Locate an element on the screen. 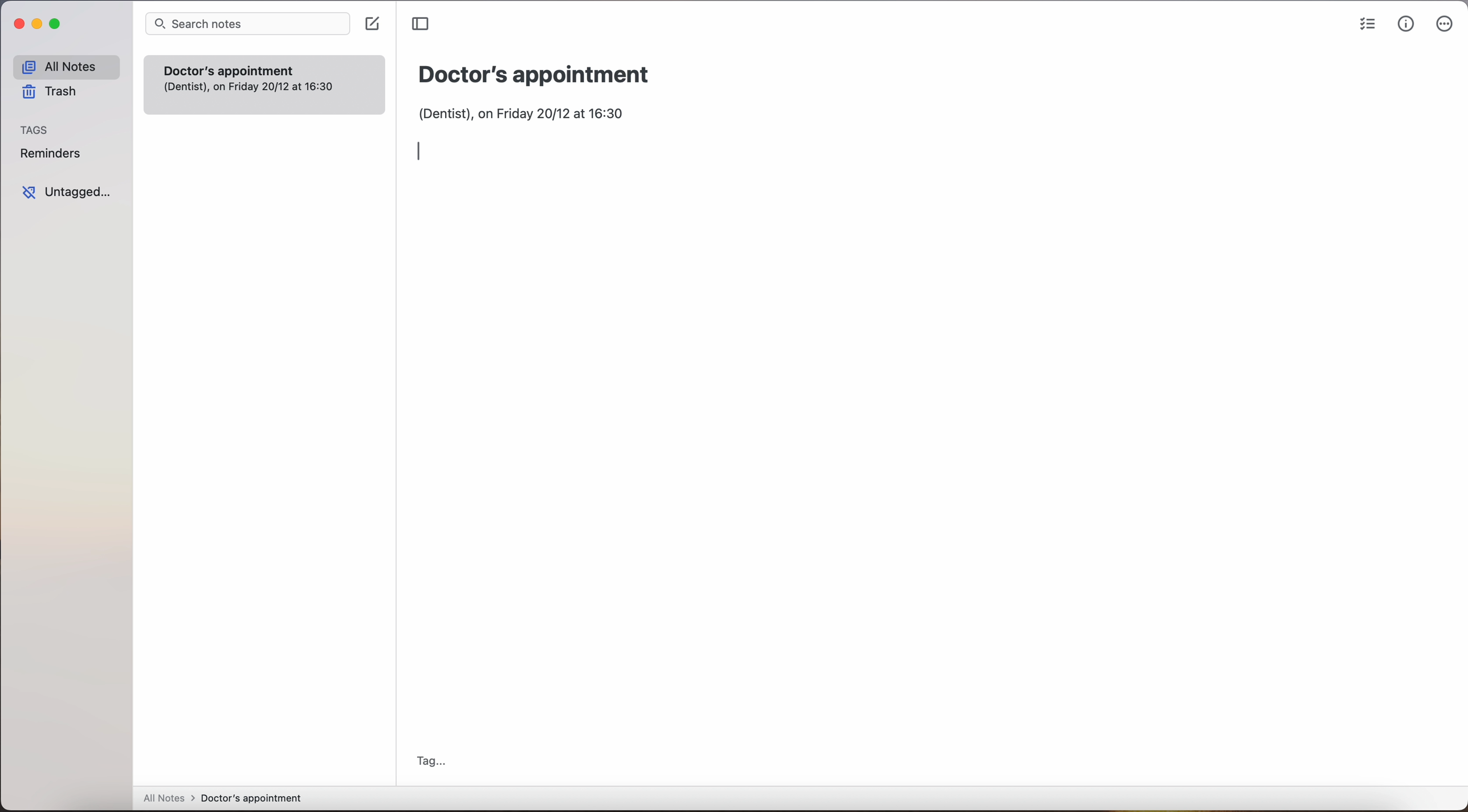 The image size is (1468, 812). check list is located at coordinates (1364, 25).